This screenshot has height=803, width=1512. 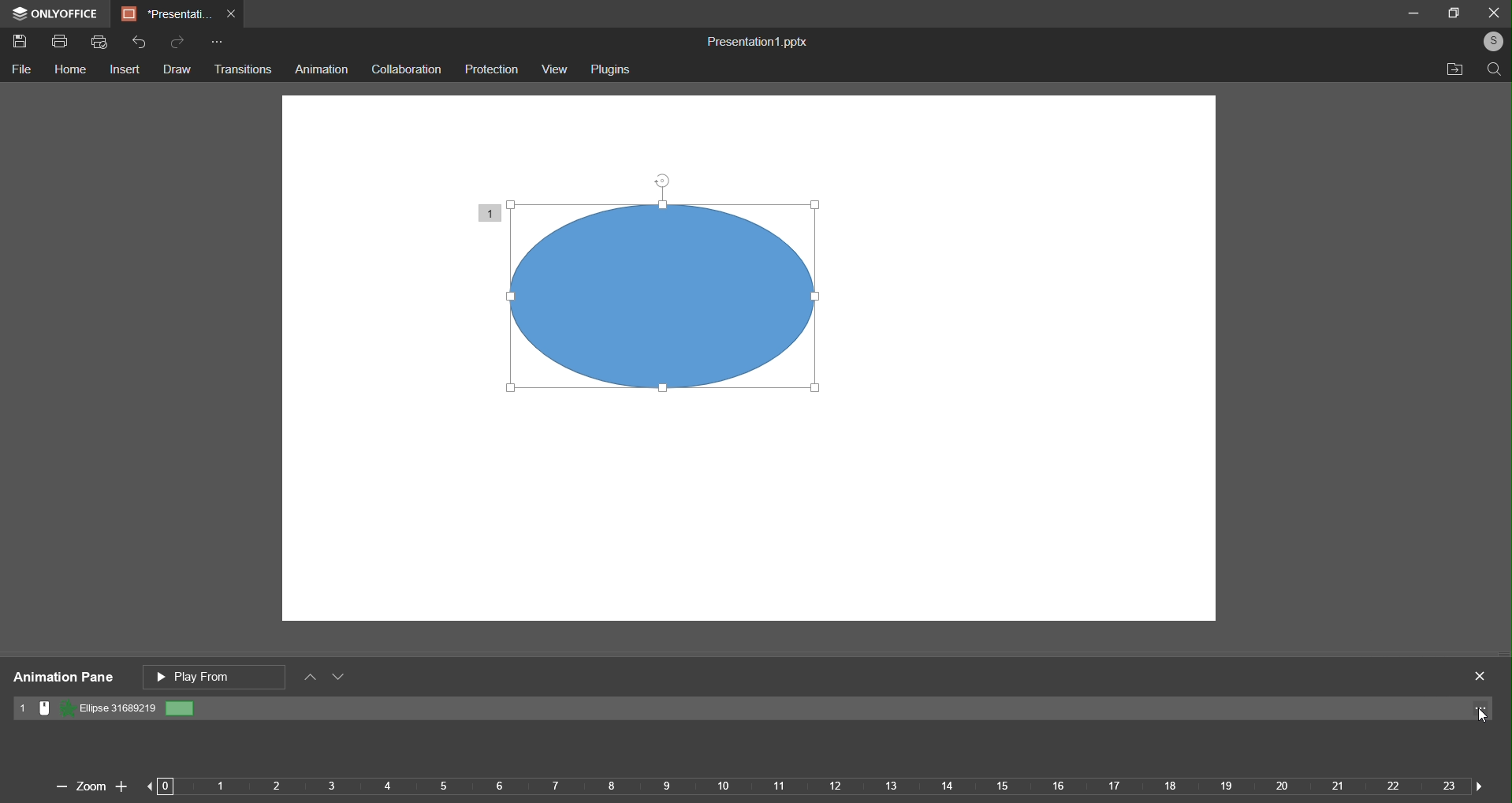 What do you see at coordinates (322, 70) in the screenshot?
I see `animation` at bounding box center [322, 70].